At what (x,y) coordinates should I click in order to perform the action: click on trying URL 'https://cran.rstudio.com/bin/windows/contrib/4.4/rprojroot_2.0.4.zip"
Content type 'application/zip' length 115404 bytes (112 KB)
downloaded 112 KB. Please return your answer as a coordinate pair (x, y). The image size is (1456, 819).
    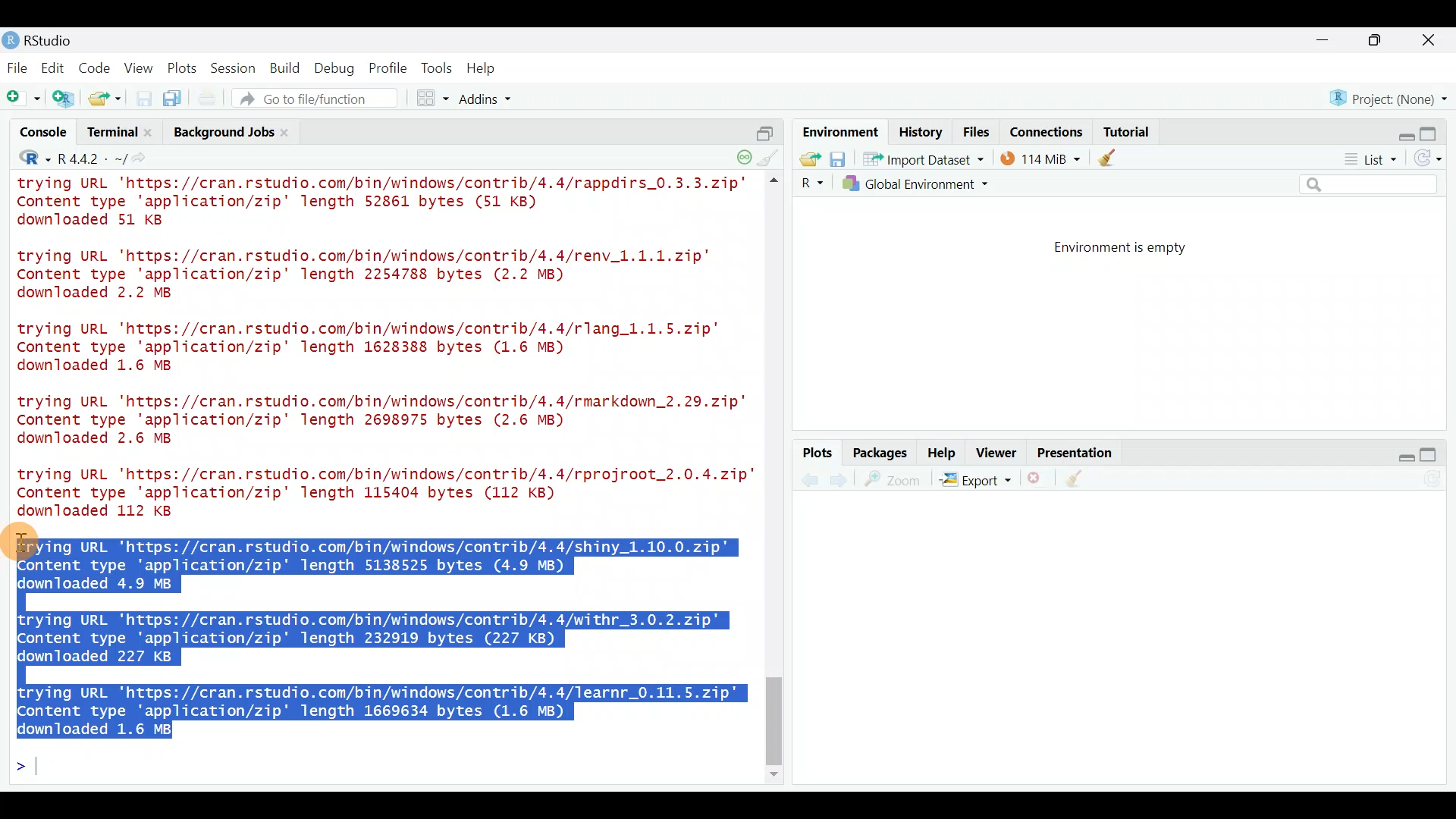
    Looking at the image, I should click on (378, 492).